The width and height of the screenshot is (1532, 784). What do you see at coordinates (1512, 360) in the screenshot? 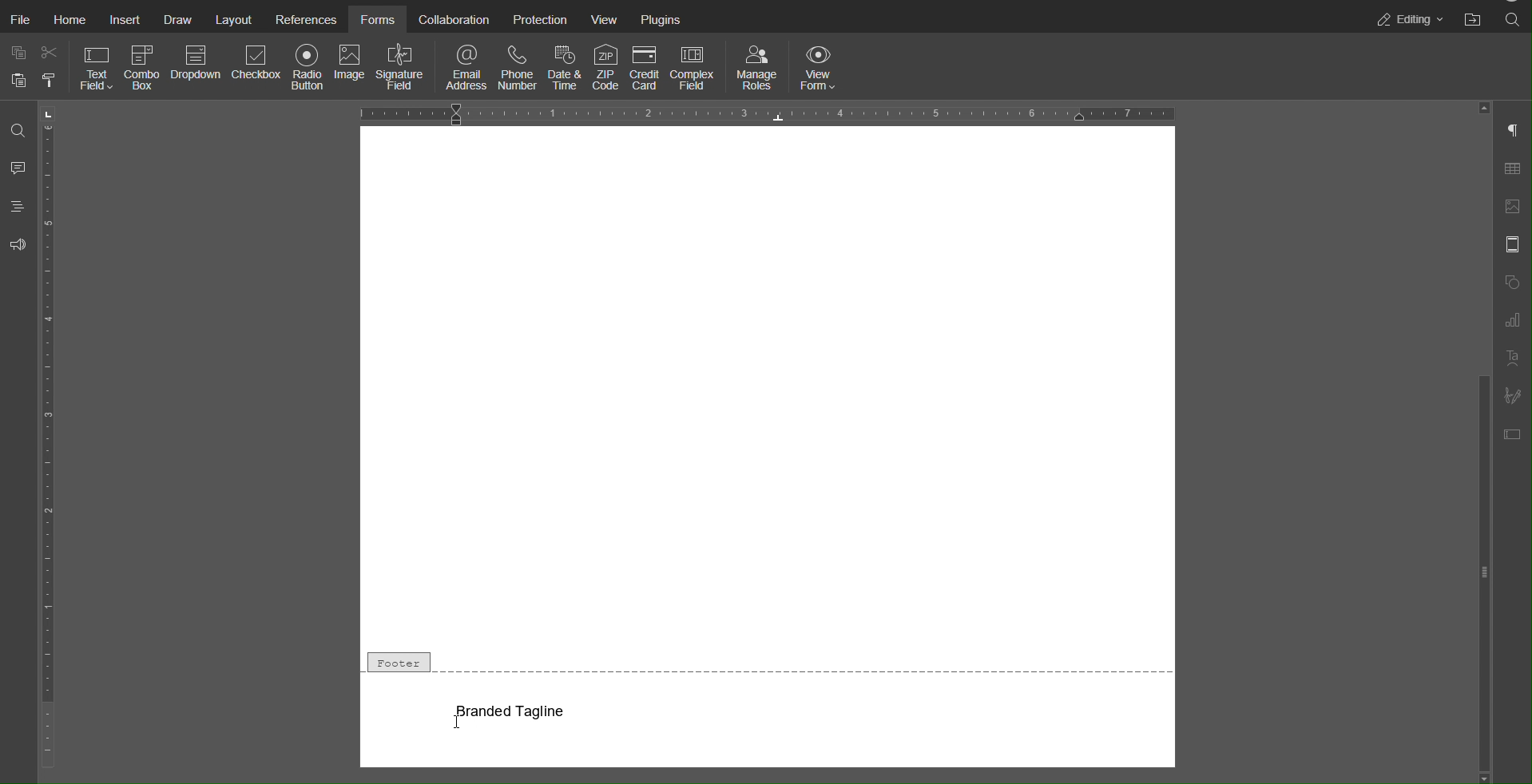
I see `Text Art` at bounding box center [1512, 360].